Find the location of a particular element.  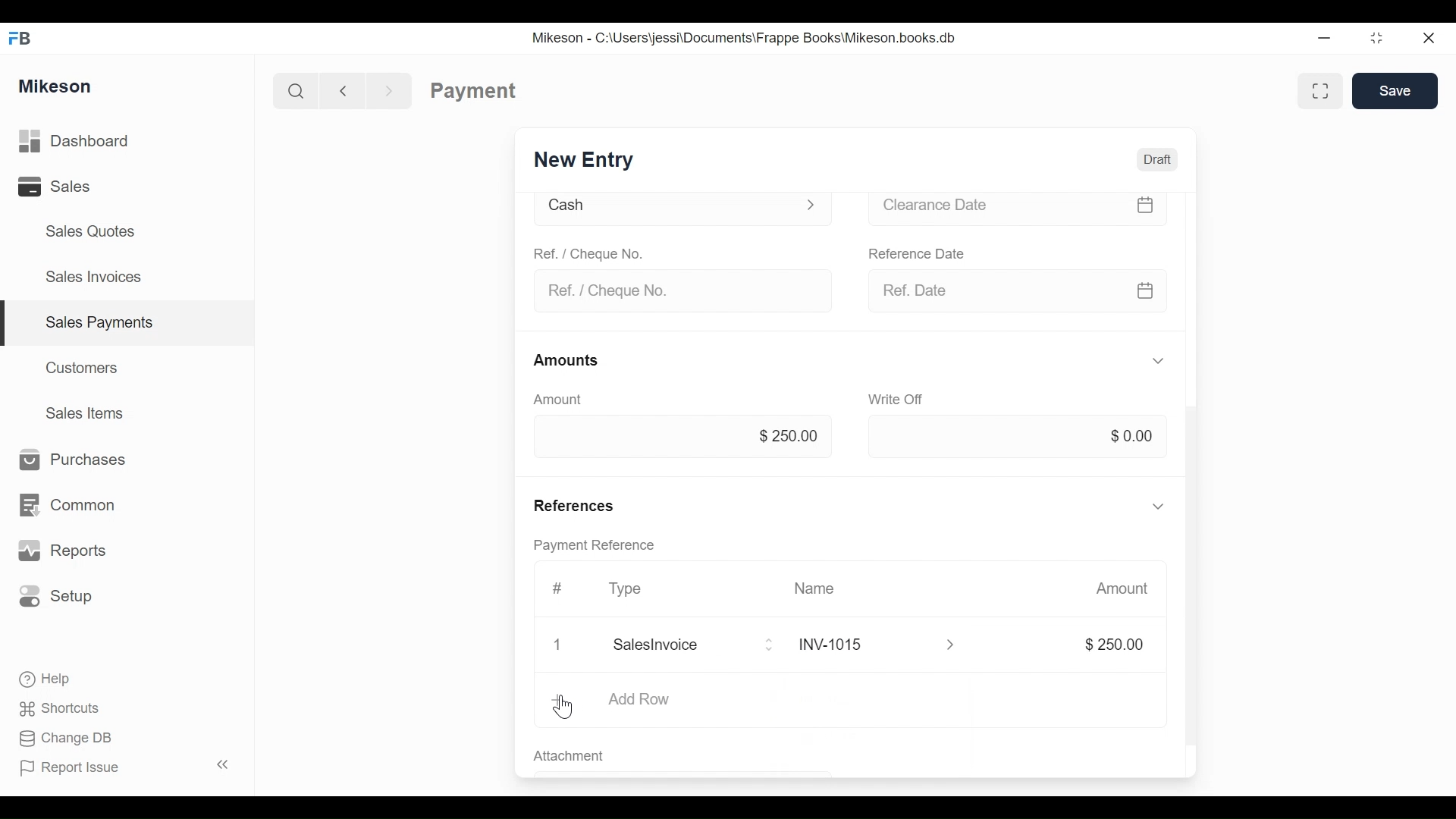

Clearance date is located at coordinates (1015, 209).